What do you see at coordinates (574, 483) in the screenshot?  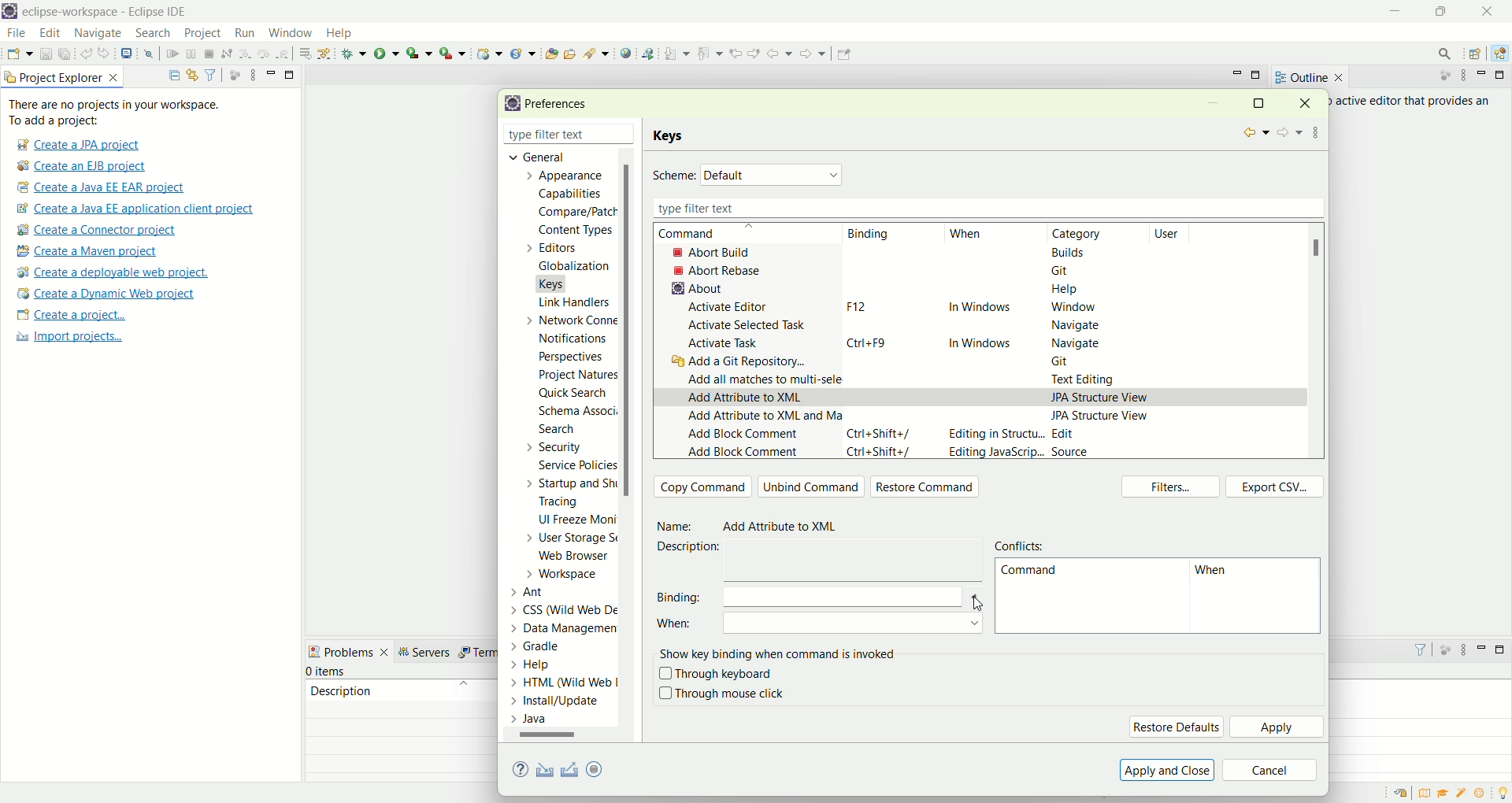 I see `startup and shutdown` at bounding box center [574, 483].